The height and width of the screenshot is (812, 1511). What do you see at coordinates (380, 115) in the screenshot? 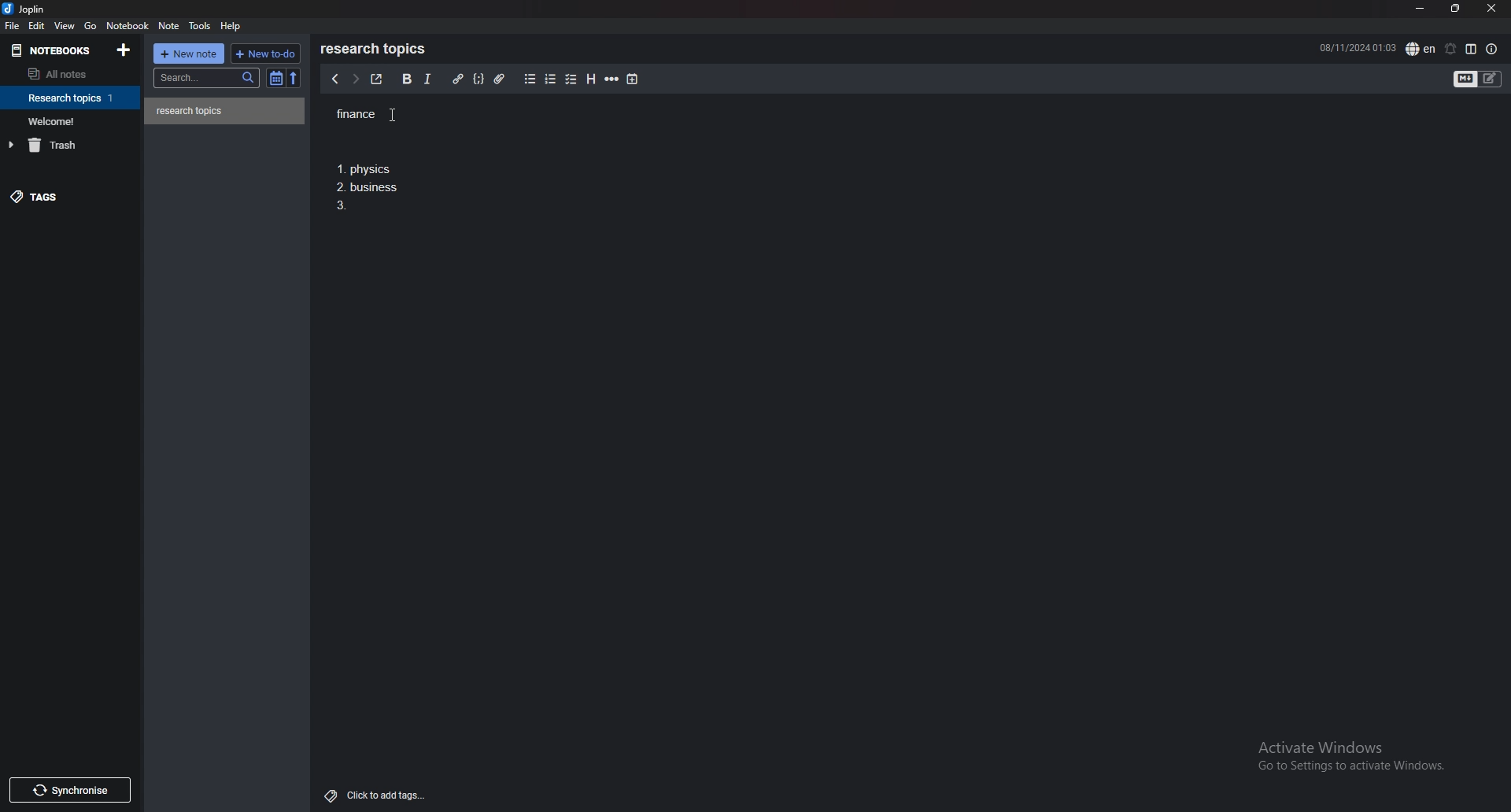
I see ` finance` at bounding box center [380, 115].